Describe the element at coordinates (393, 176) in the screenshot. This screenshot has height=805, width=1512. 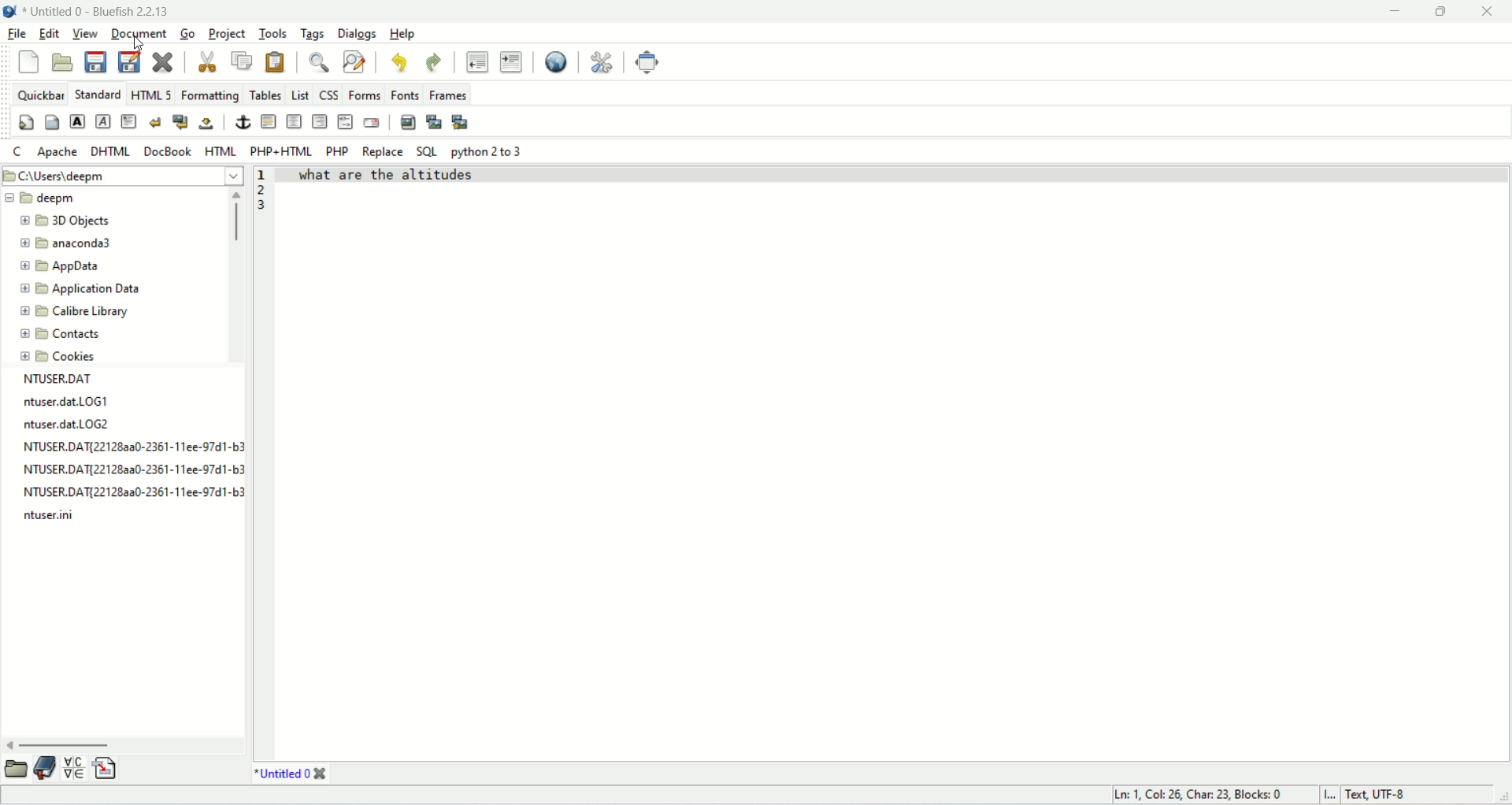
I see `text` at that location.